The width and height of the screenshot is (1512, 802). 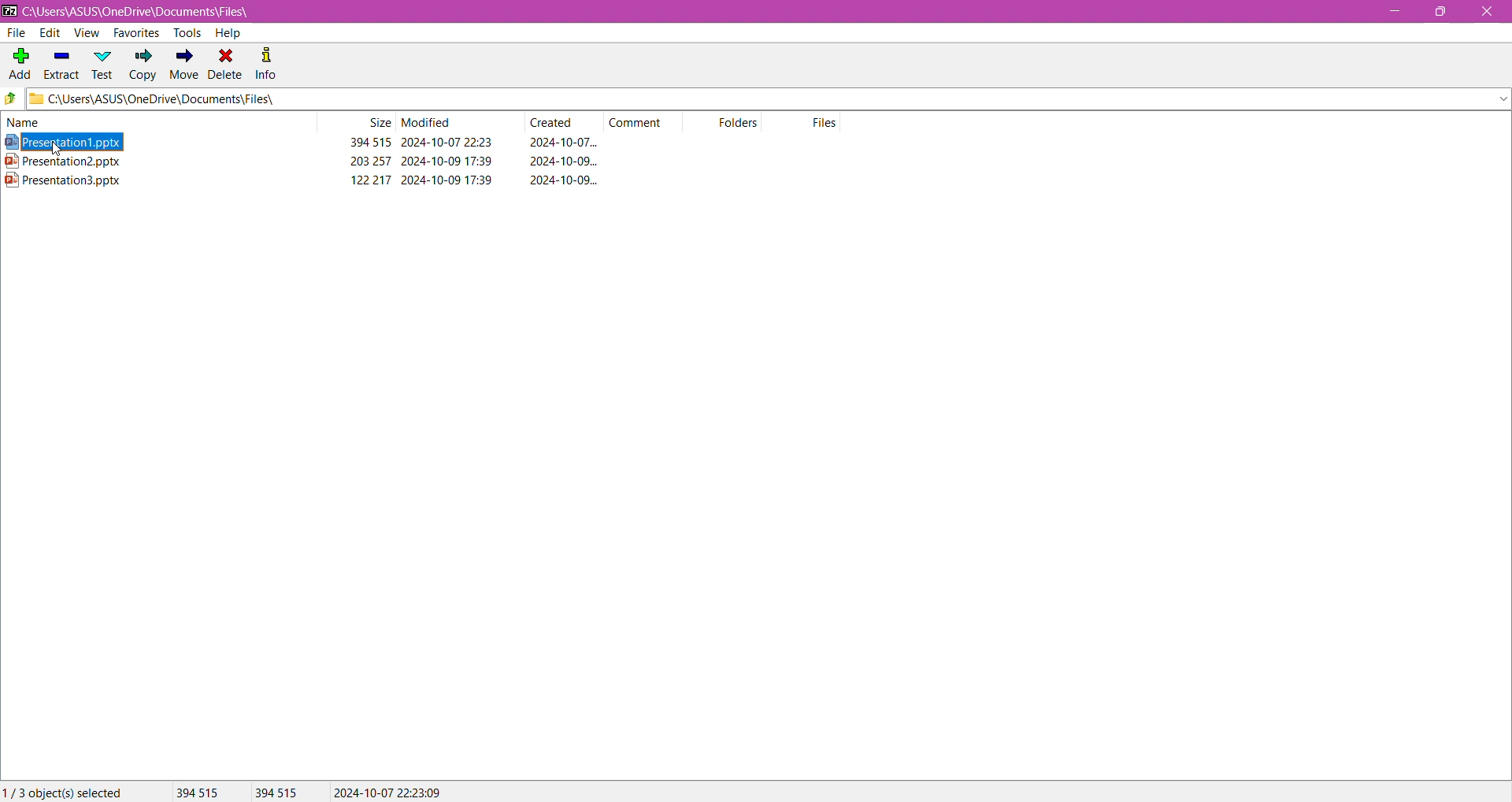 I want to click on 394515, so click(x=276, y=793).